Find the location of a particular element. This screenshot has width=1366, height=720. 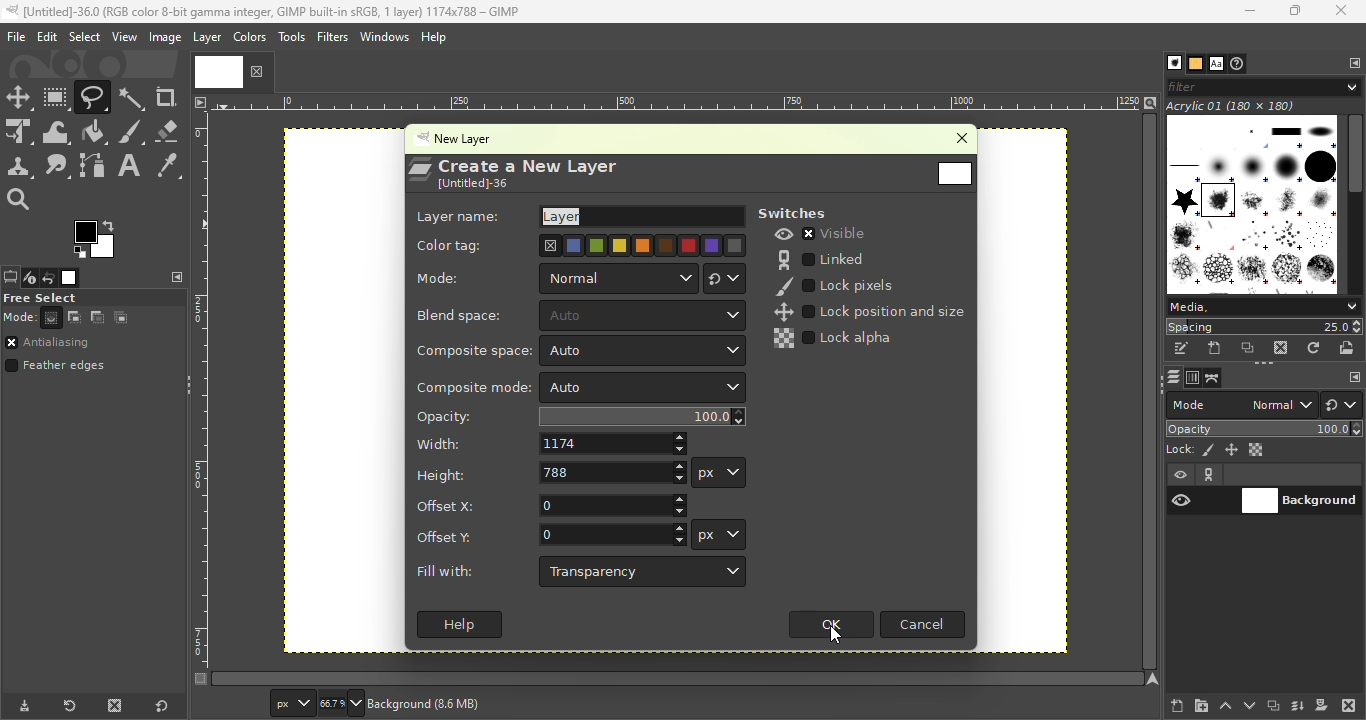

File is located at coordinates (14, 36).